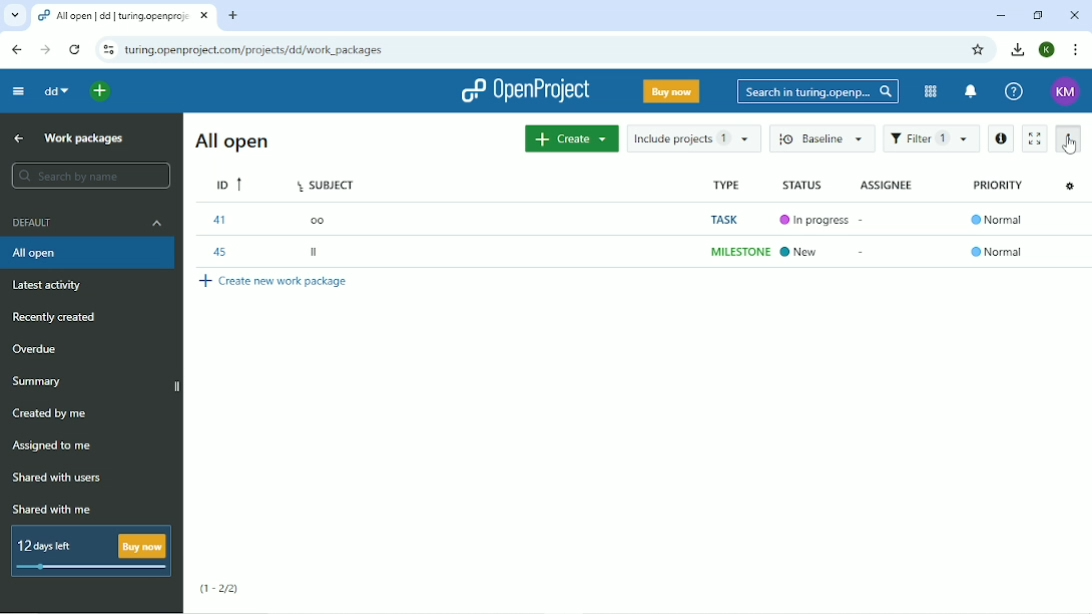  I want to click on Collapse project menu, so click(18, 91).